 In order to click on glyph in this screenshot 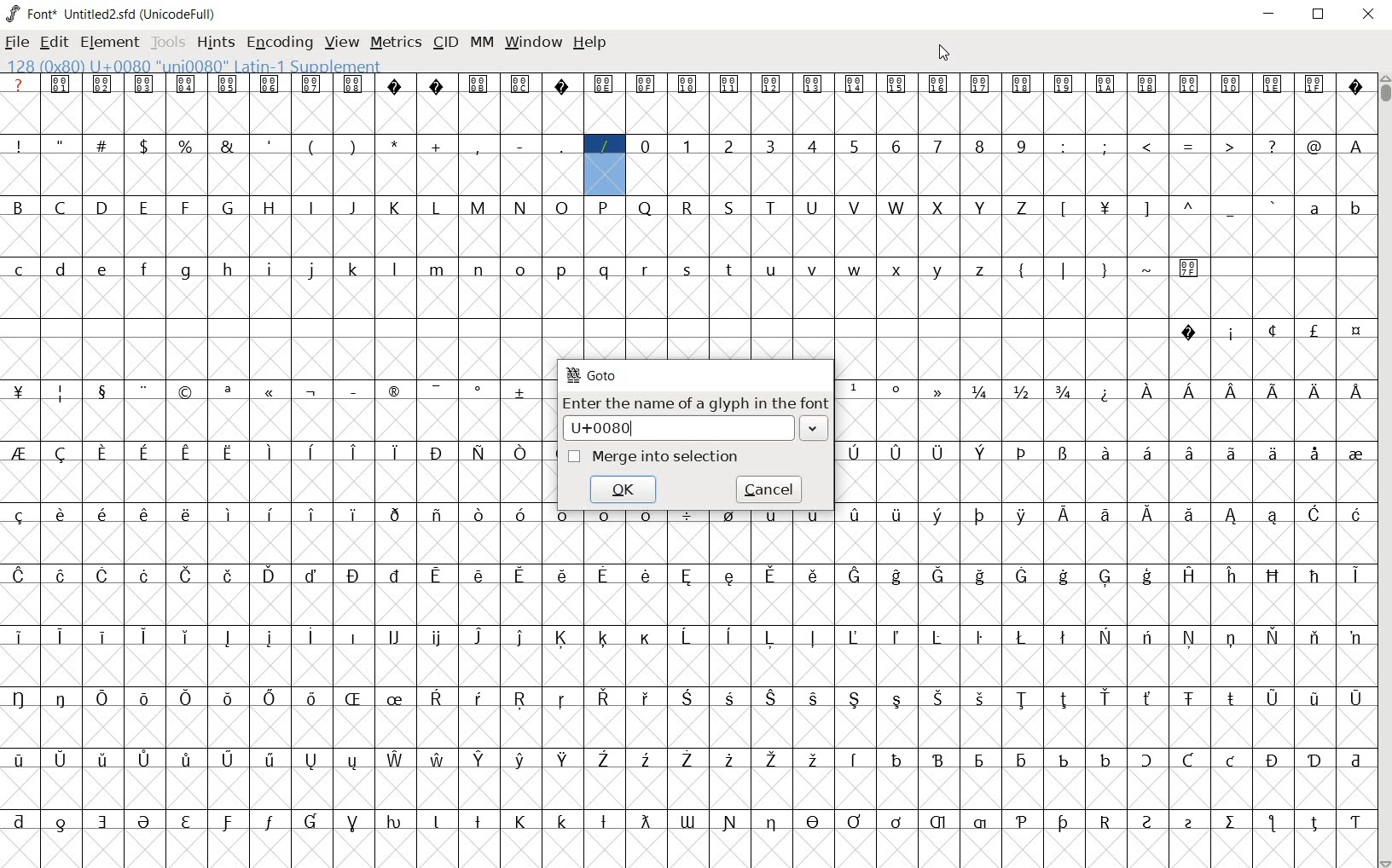, I will do `click(19, 391)`.